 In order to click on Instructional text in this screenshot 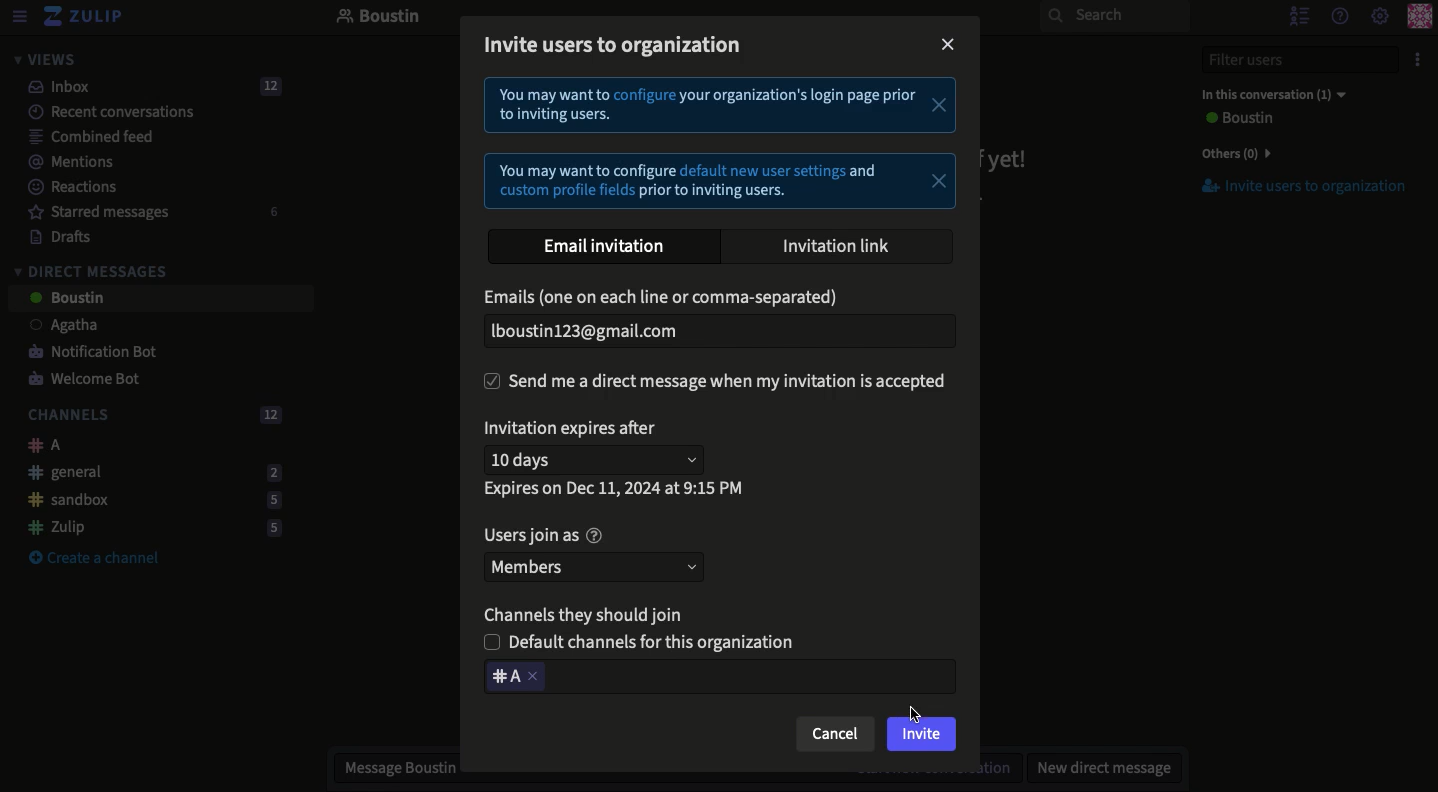, I will do `click(720, 145)`.